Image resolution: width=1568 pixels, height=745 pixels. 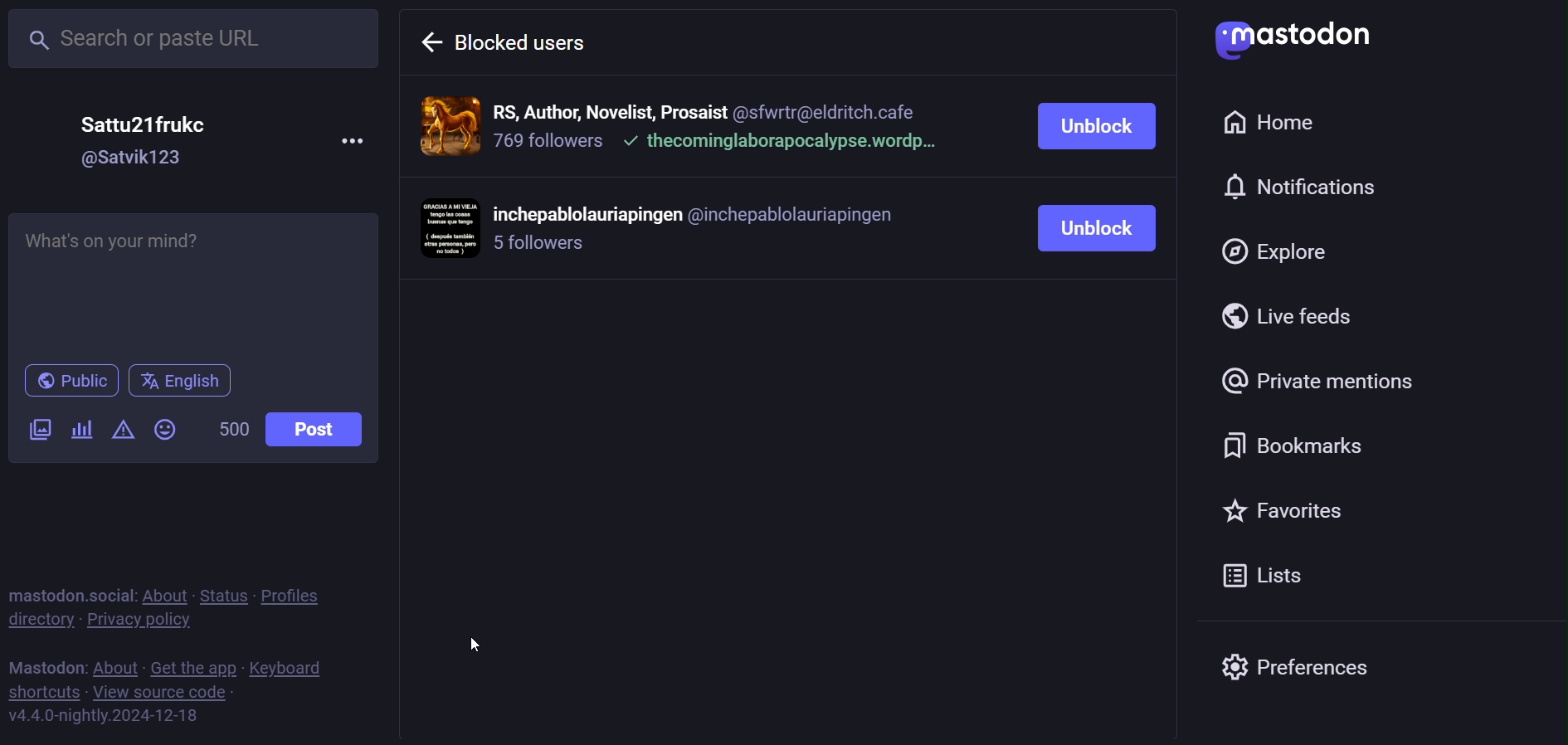 I want to click on Search or paste URL, so click(x=198, y=41).